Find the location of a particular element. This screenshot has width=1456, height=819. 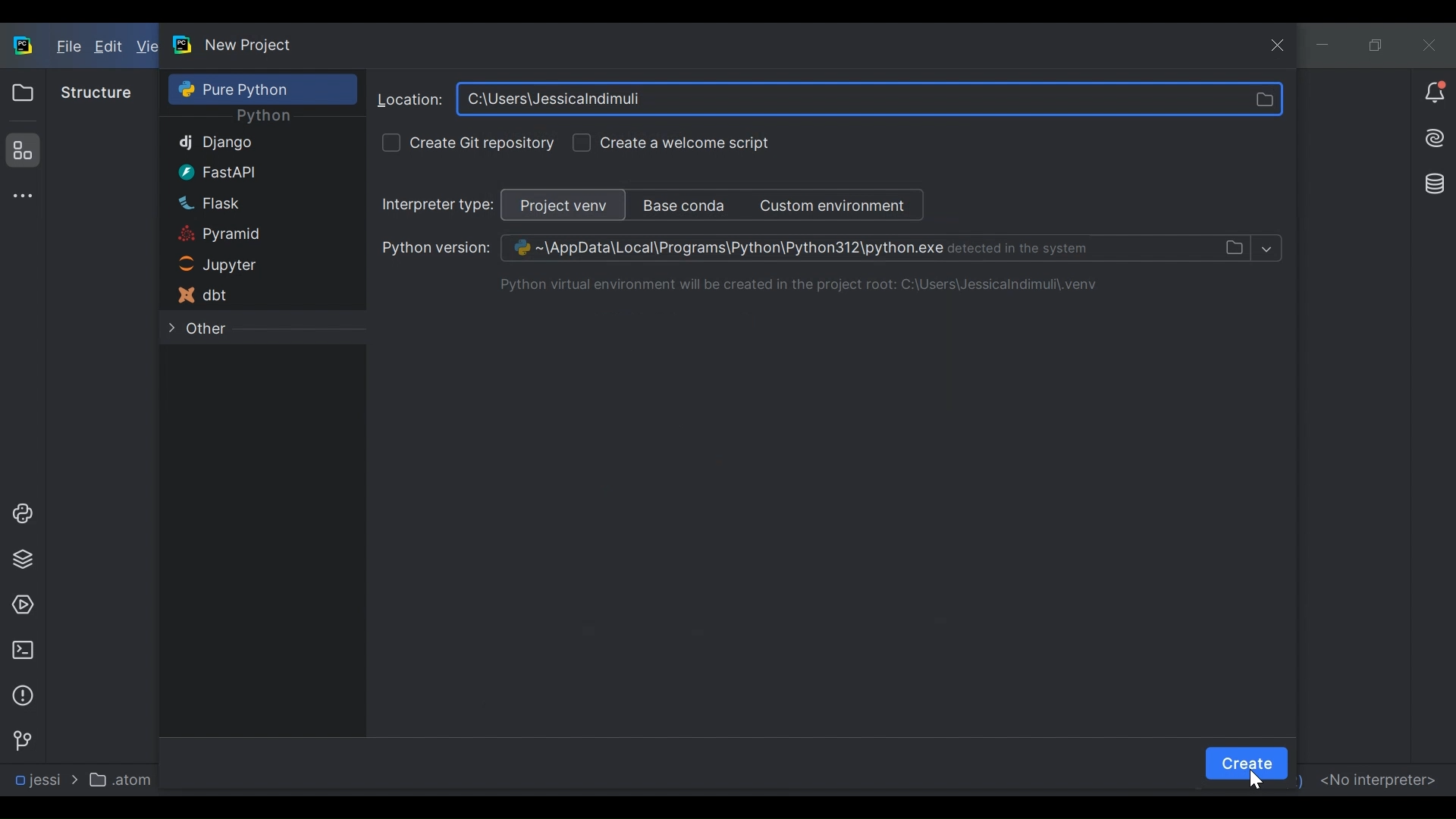

AI Assistant is located at coordinates (1433, 138).